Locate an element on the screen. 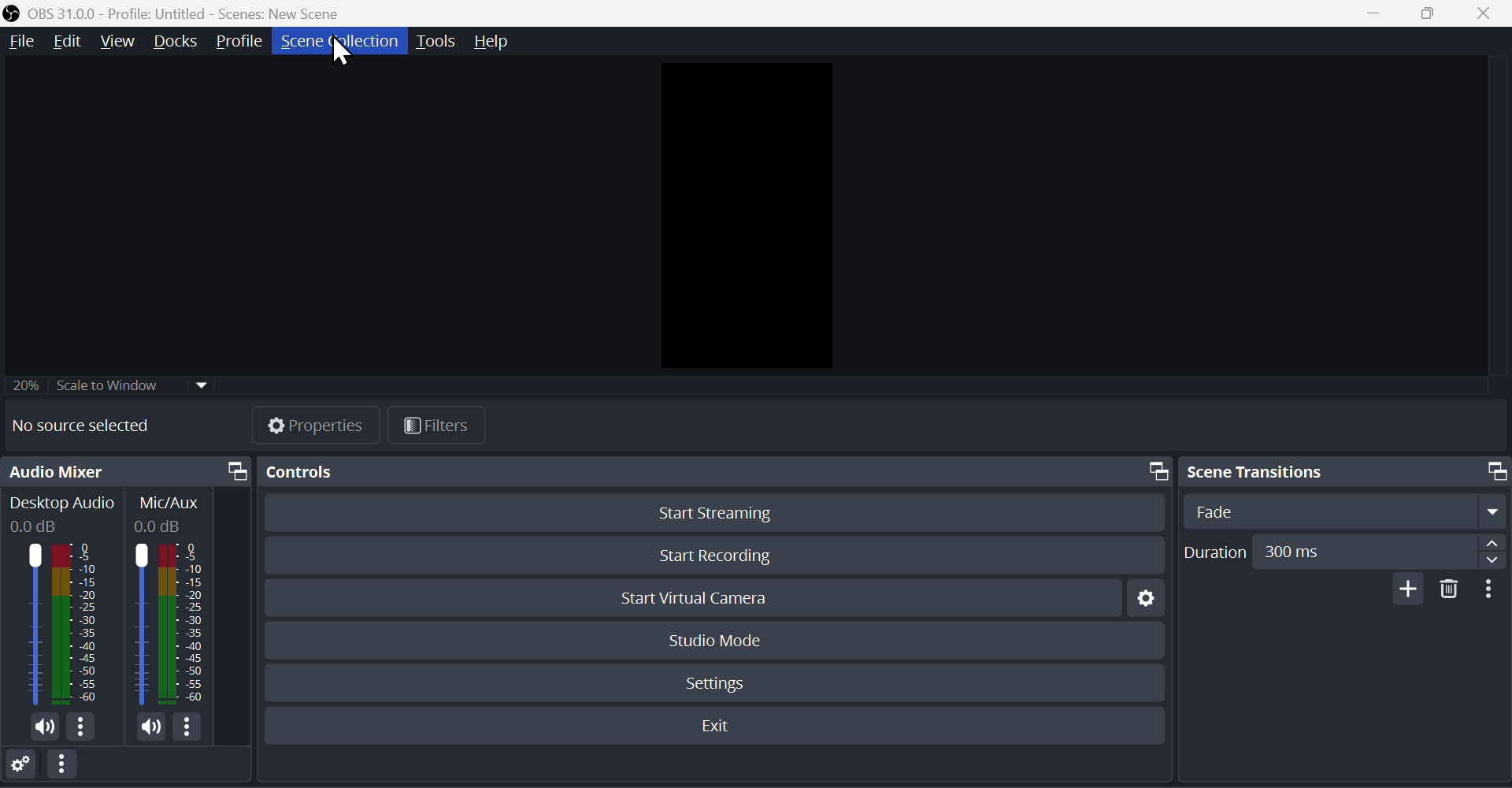 The height and width of the screenshot is (788, 1512). Start streaming is located at coordinates (710, 515).